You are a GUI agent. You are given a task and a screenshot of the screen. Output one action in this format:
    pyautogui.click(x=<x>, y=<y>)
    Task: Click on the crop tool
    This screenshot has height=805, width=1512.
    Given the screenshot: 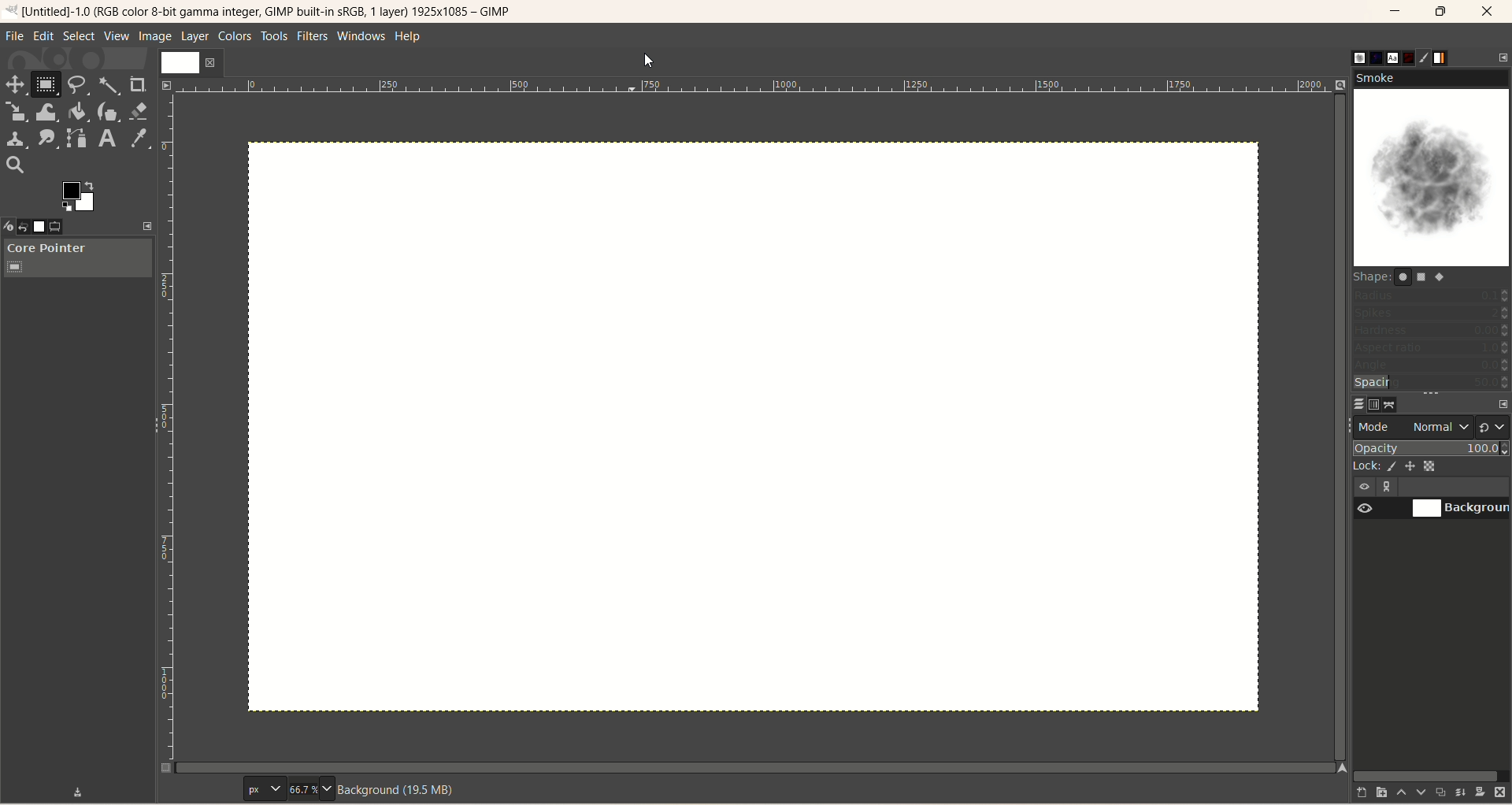 What is the action you would take?
    pyautogui.click(x=136, y=83)
    